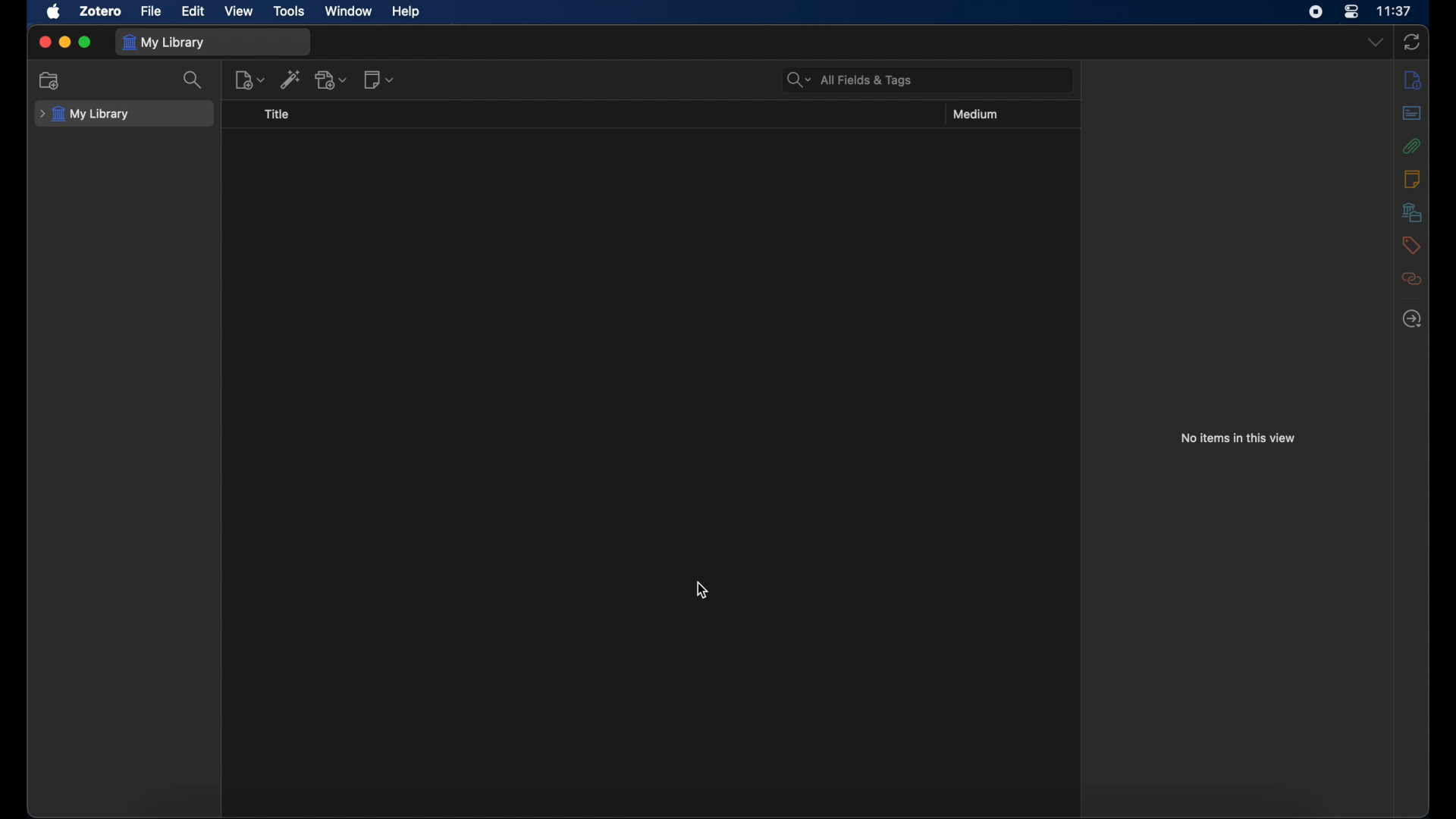  Describe the element at coordinates (1412, 42) in the screenshot. I see `sync` at that location.